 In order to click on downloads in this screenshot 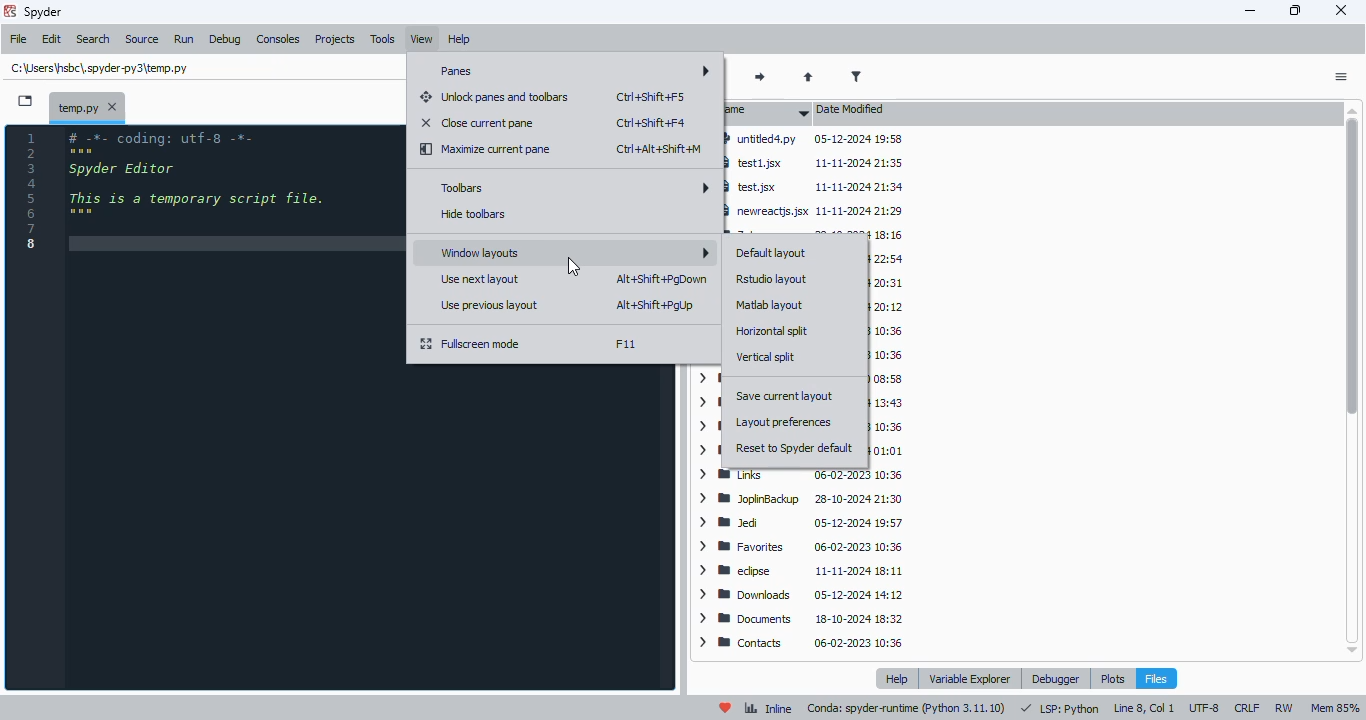, I will do `click(802, 594)`.